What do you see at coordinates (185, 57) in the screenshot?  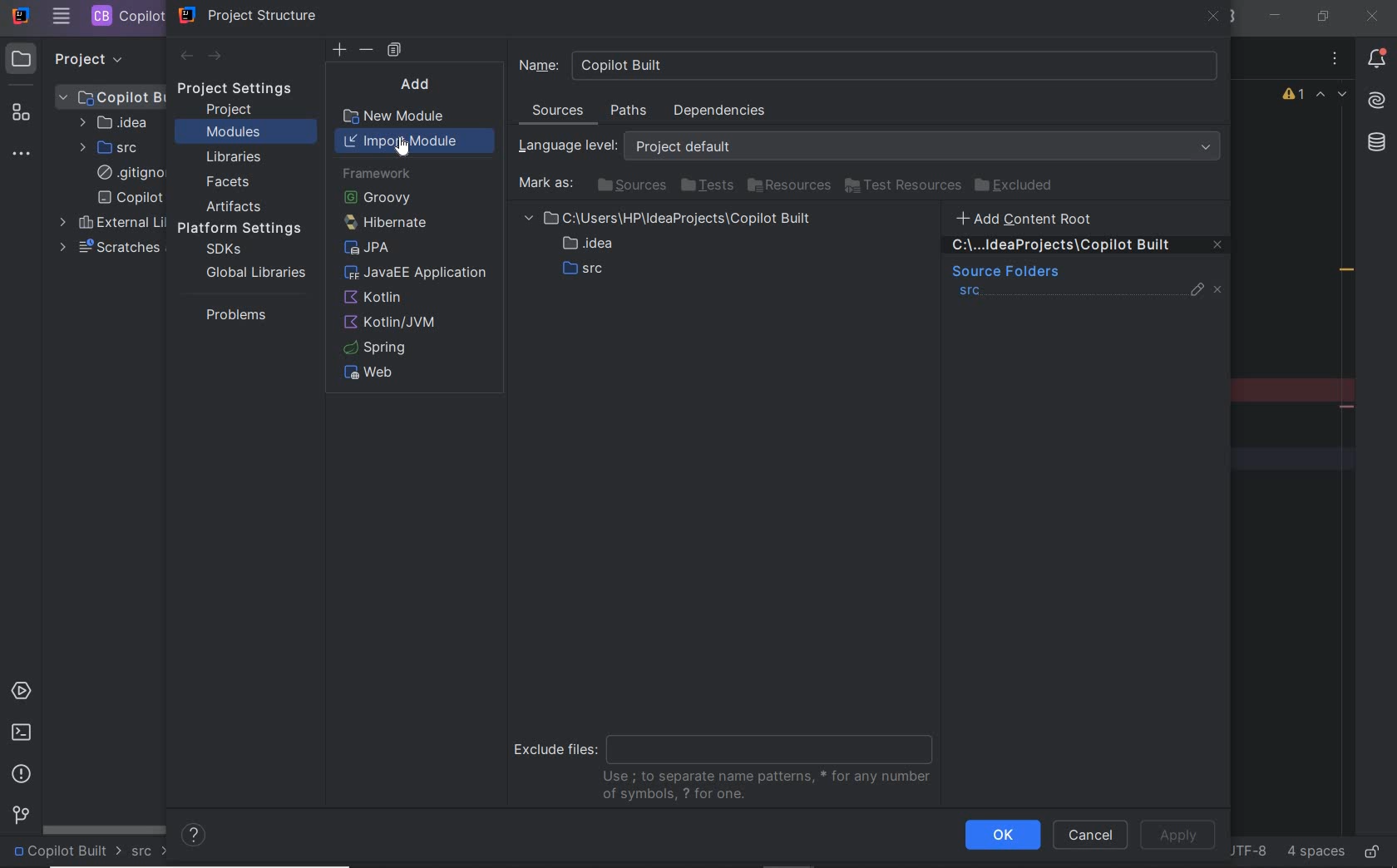 I see `back` at bounding box center [185, 57].